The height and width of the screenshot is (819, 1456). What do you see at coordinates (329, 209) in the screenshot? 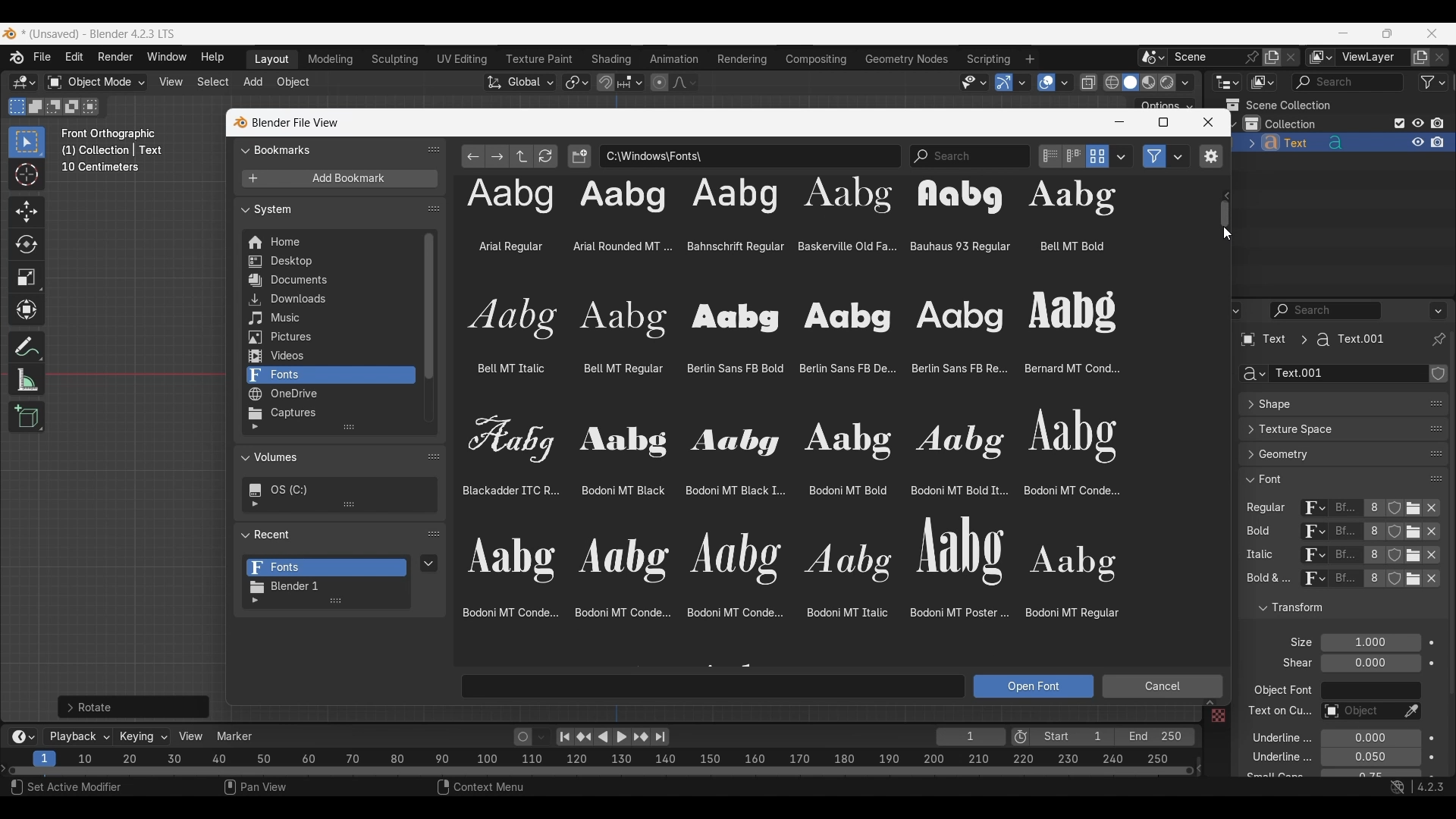
I see `Collapse System` at bounding box center [329, 209].